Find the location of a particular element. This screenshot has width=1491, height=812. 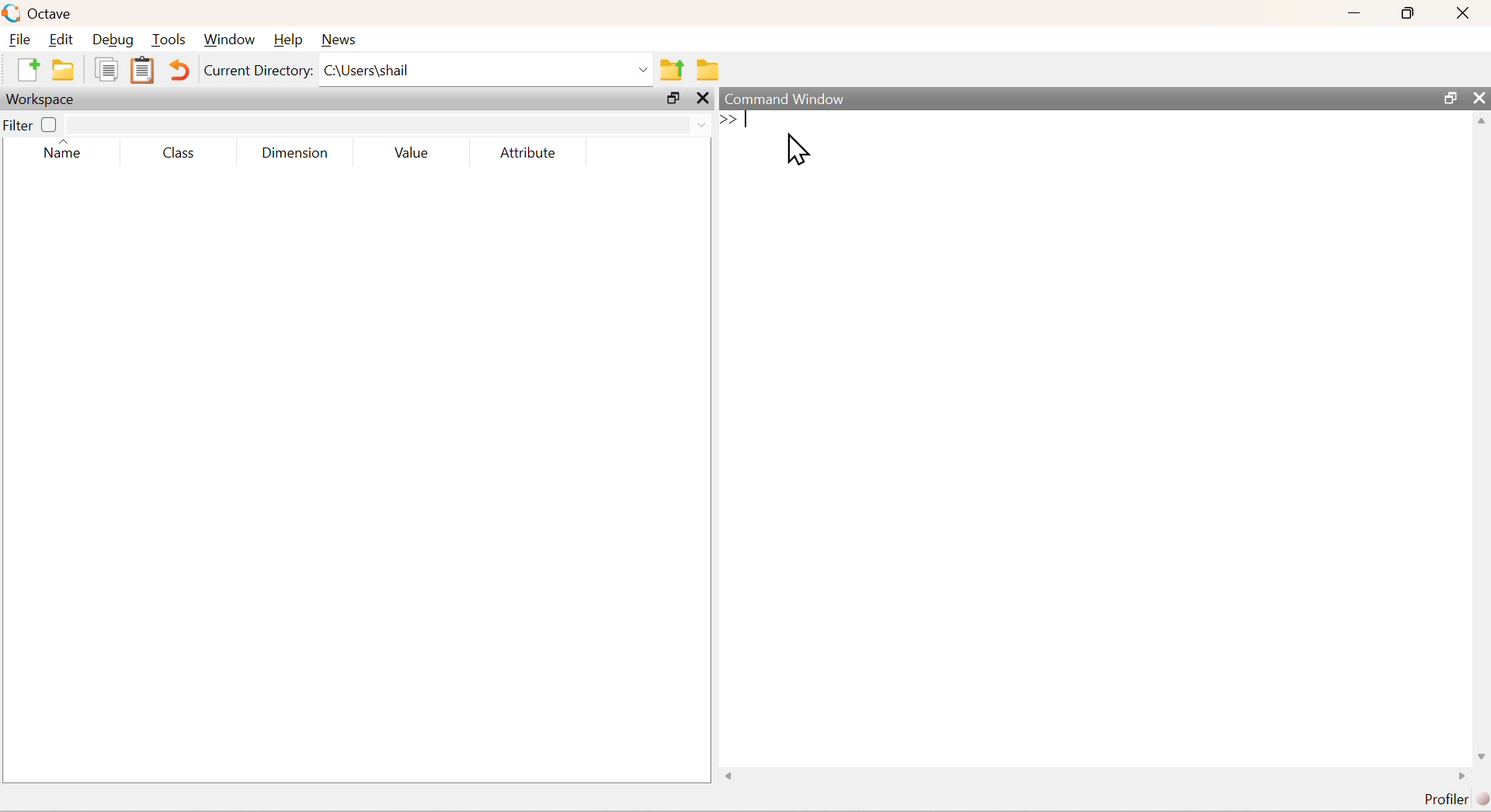

Workspace is located at coordinates (42, 99).